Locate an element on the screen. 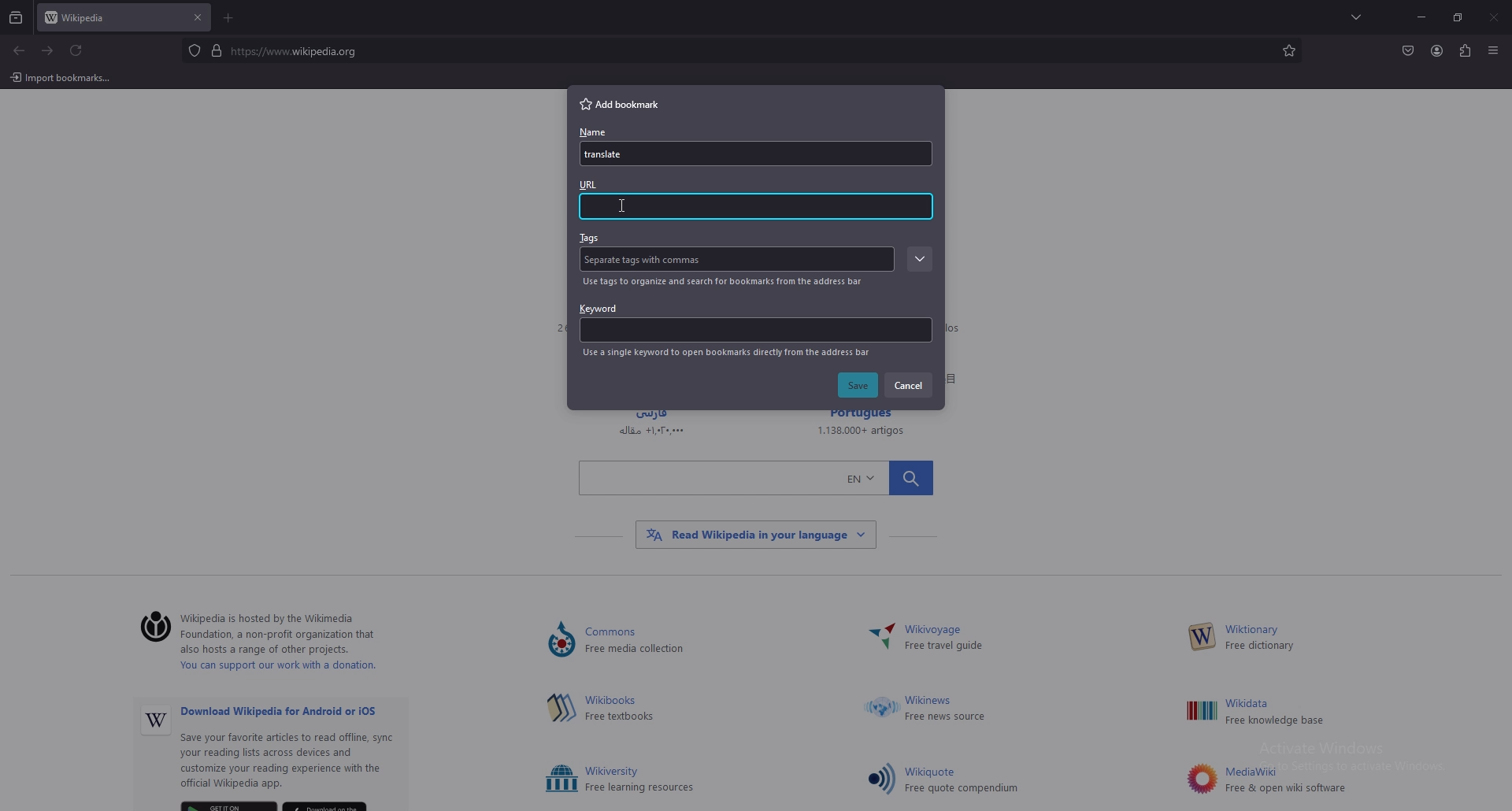 This screenshot has height=811, width=1512.  is located at coordinates (300, 750).